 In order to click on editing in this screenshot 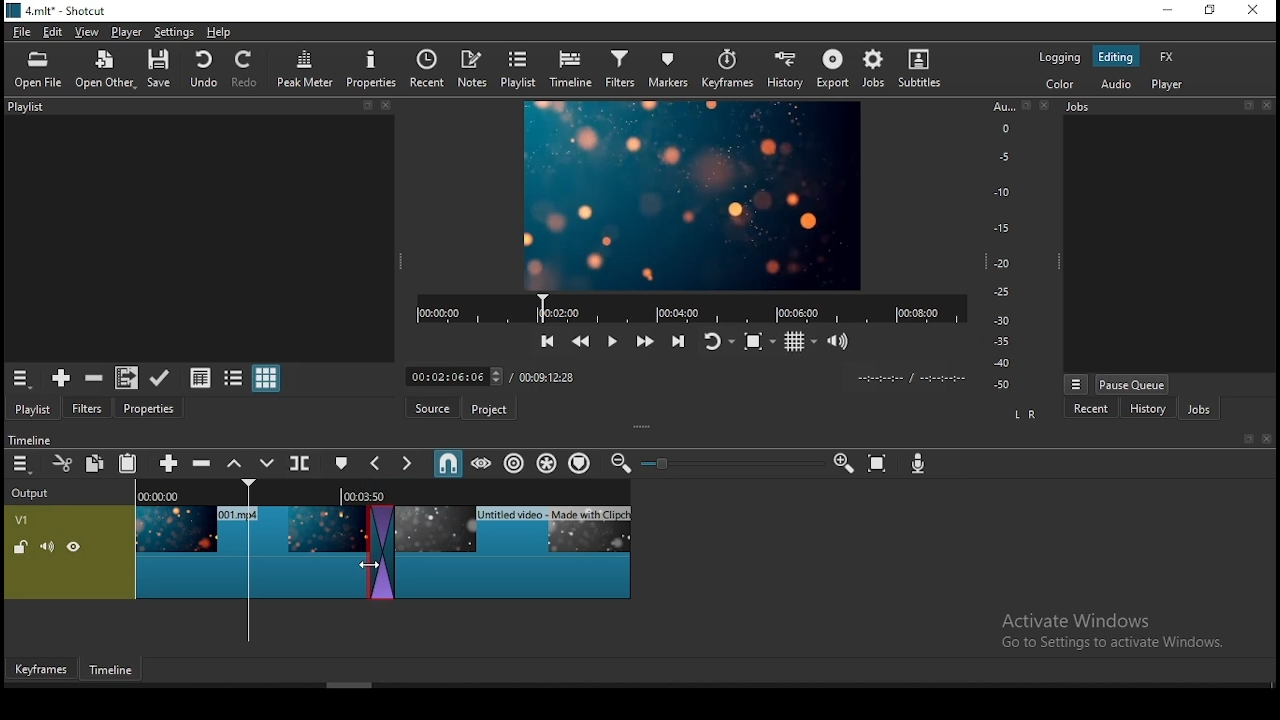, I will do `click(1115, 56)`.